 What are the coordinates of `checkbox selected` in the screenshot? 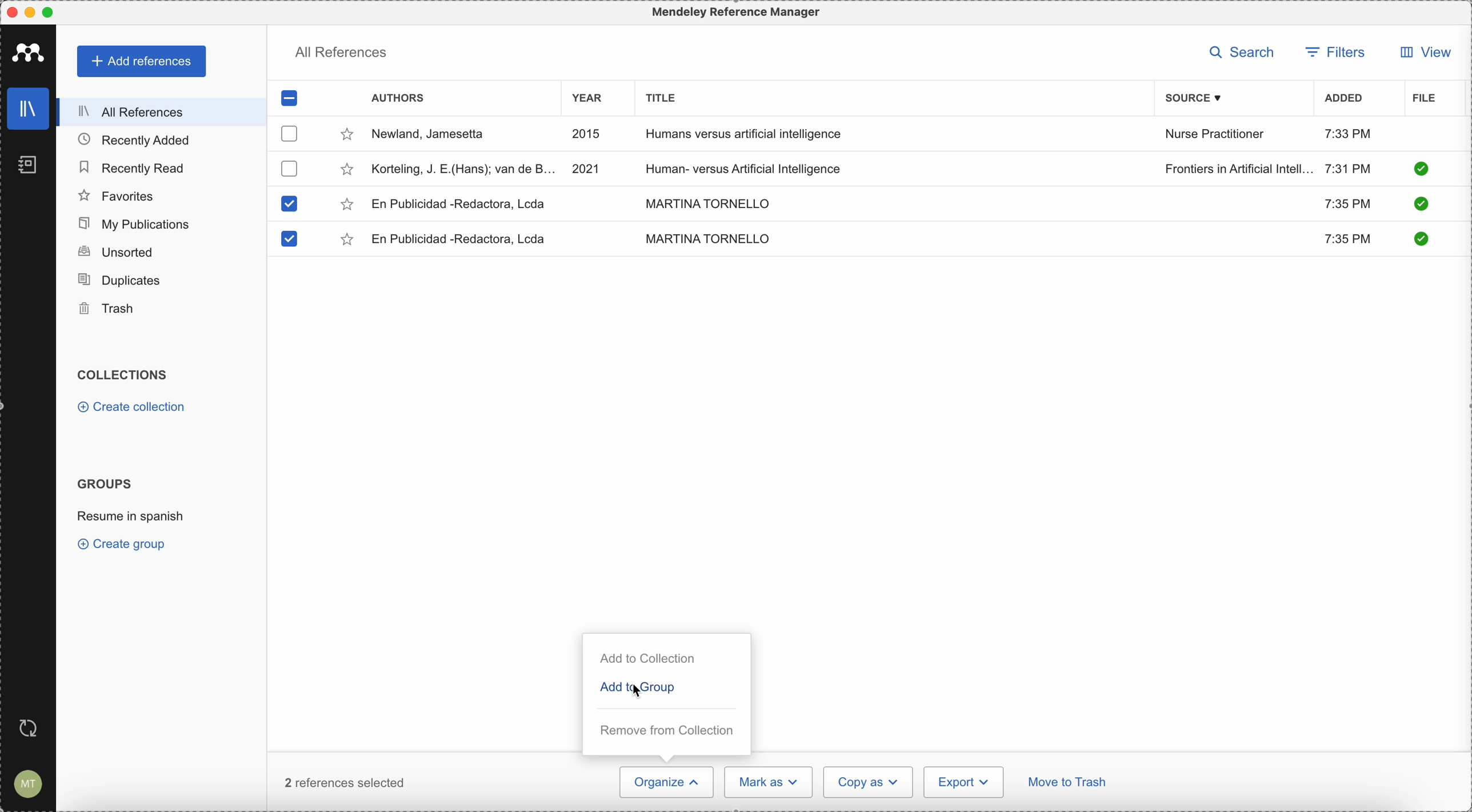 It's located at (287, 238).